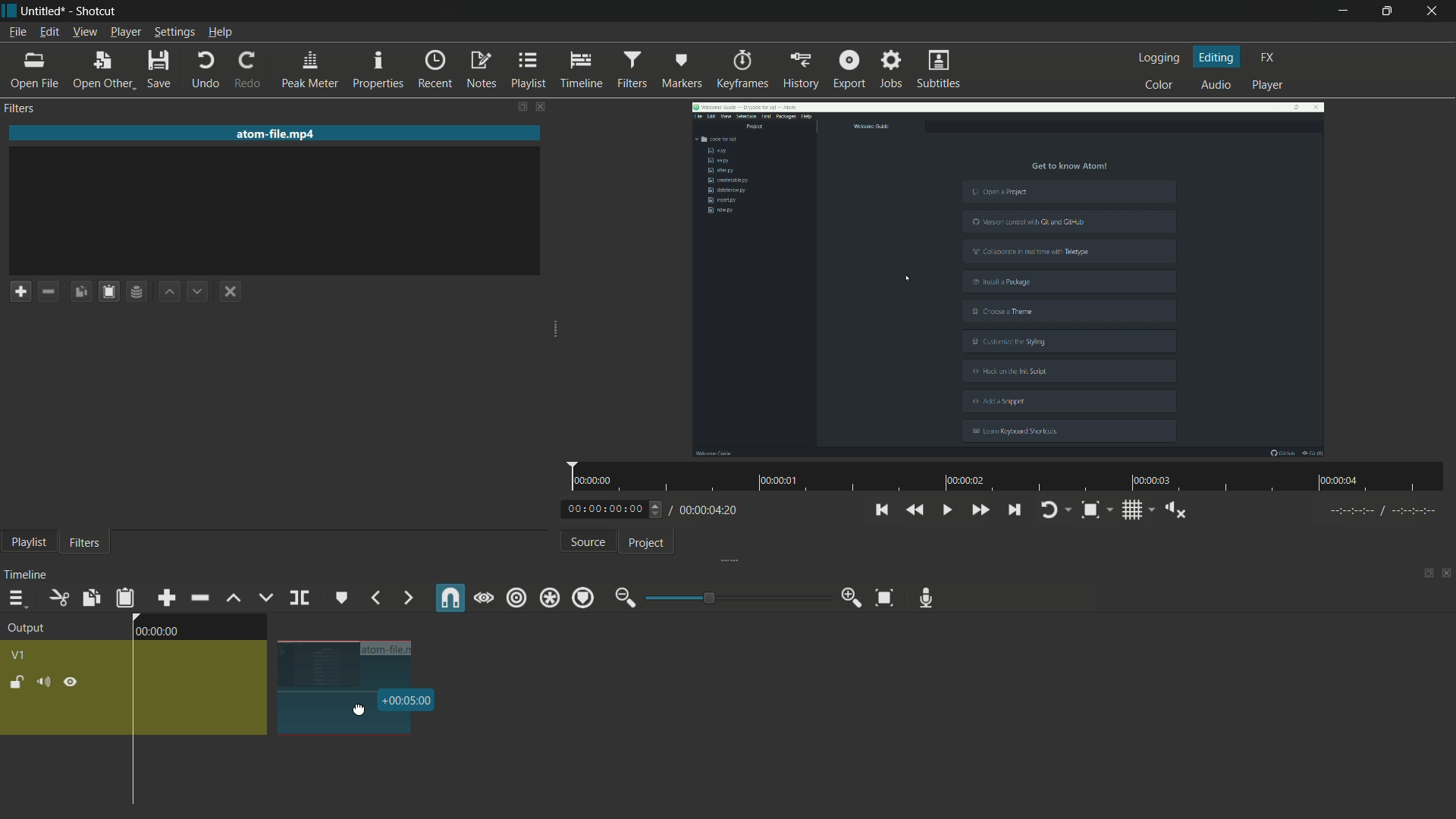 The width and height of the screenshot is (1456, 819). What do you see at coordinates (1339, 11) in the screenshot?
I see `minimize` at bounding box center [1339, 11].